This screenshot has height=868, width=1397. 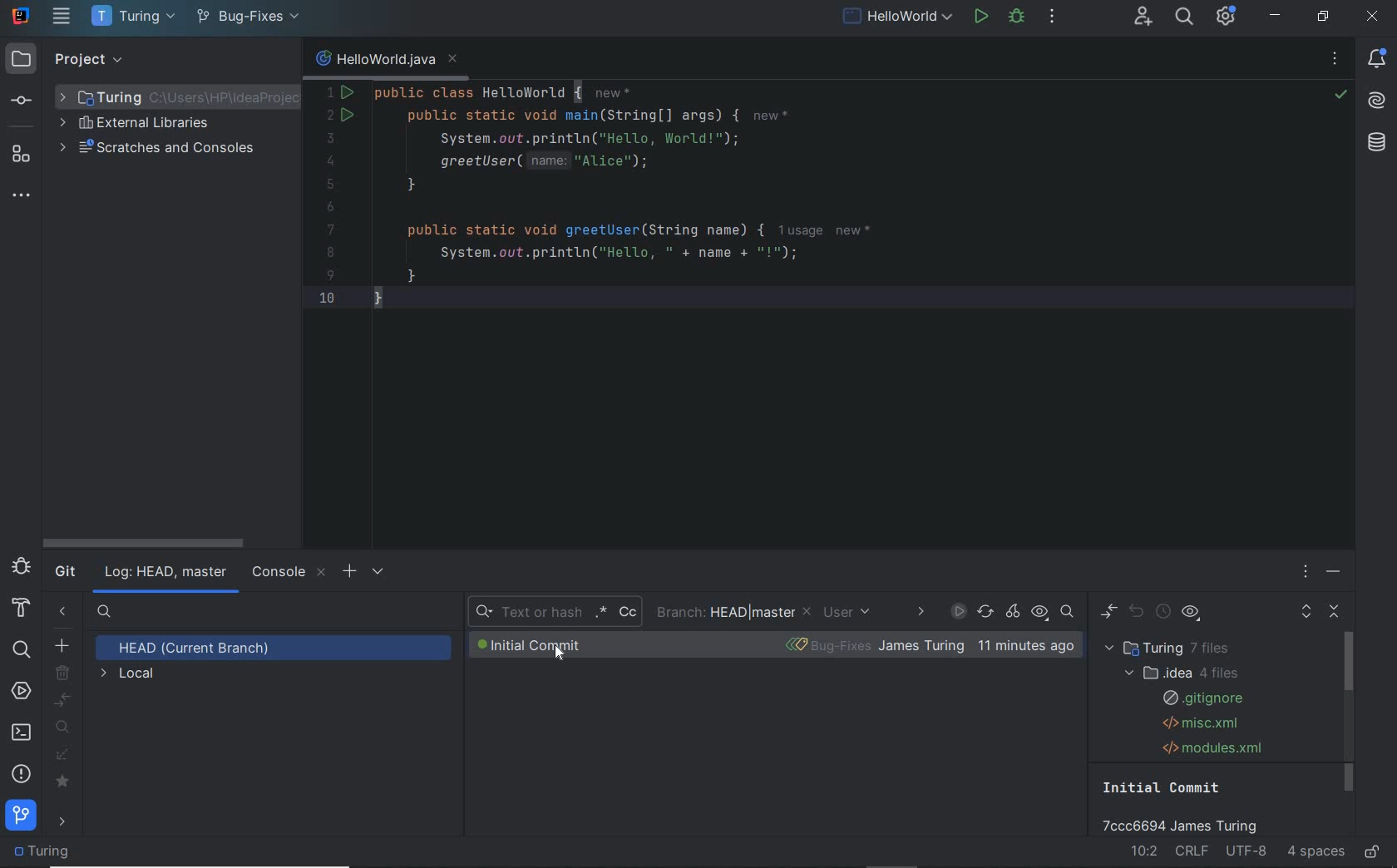 What do you see at coordinates (330, 161) in the screenshot?
I see `4` at bounding box center [330, 161].